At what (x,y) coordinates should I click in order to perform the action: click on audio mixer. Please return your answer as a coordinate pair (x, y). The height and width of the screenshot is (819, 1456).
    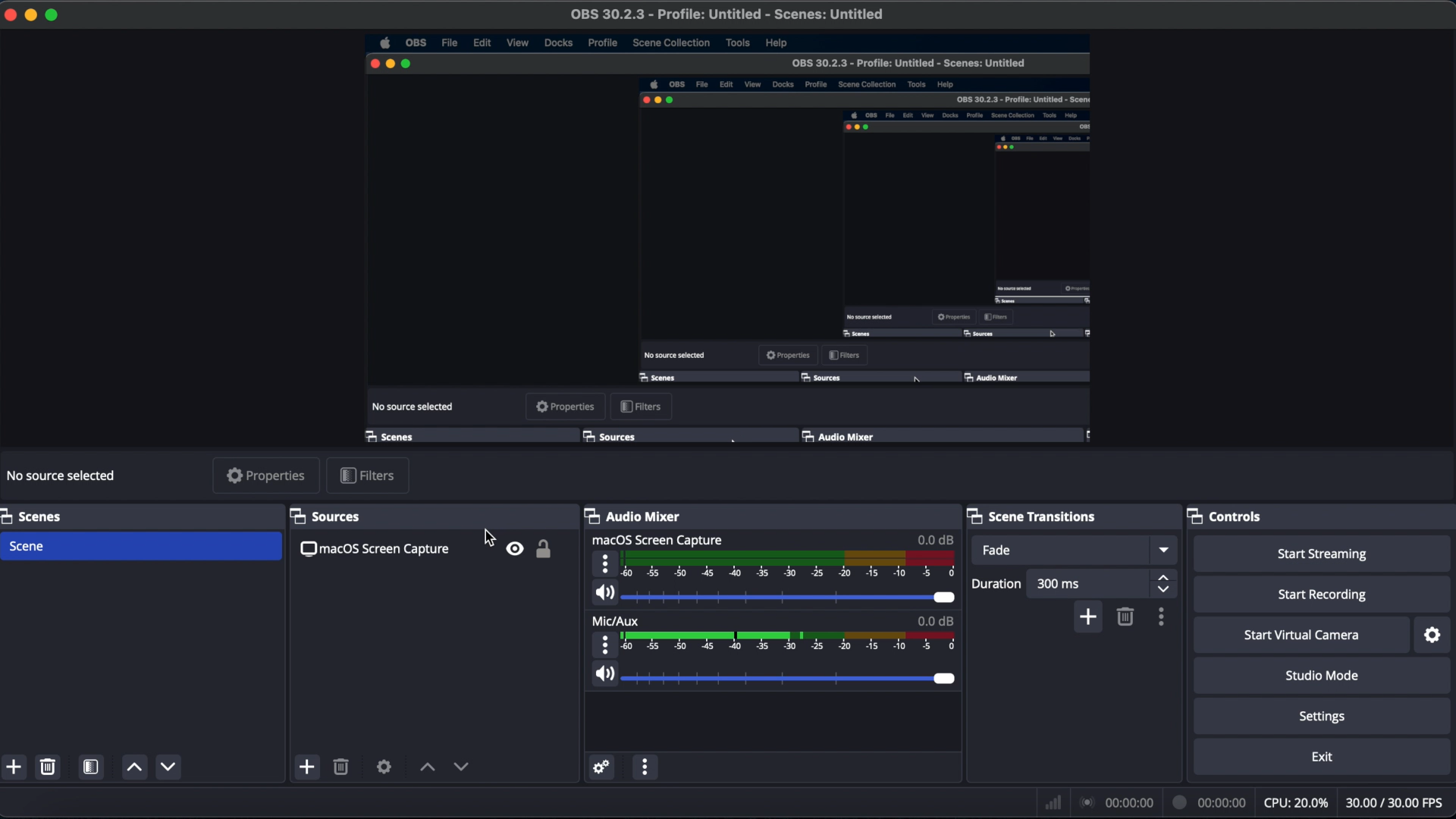
    Looking at the image, I should click on (631, 516).